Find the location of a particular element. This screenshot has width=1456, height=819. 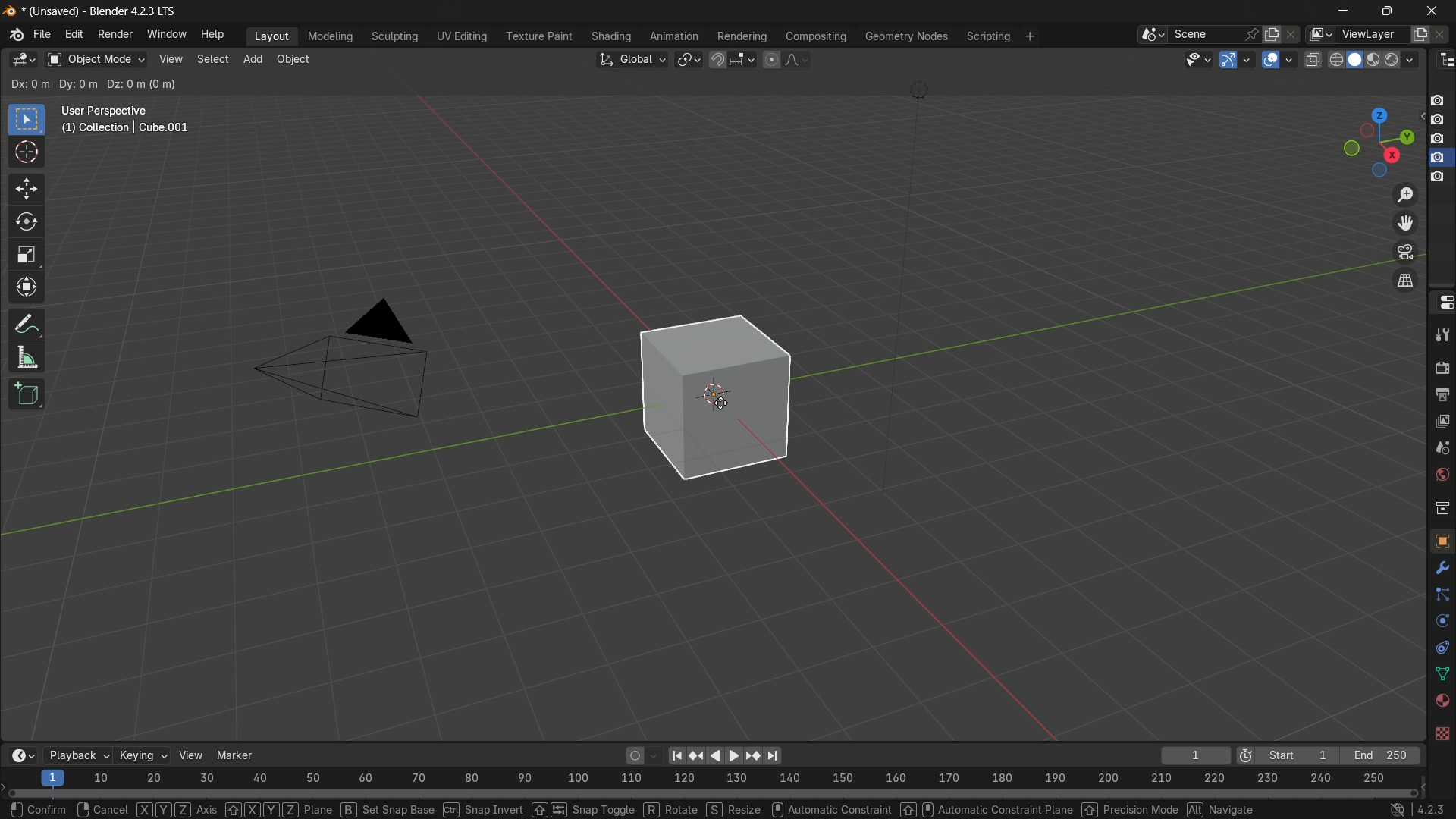

Snap Invert is located at coordinates (482, 809).